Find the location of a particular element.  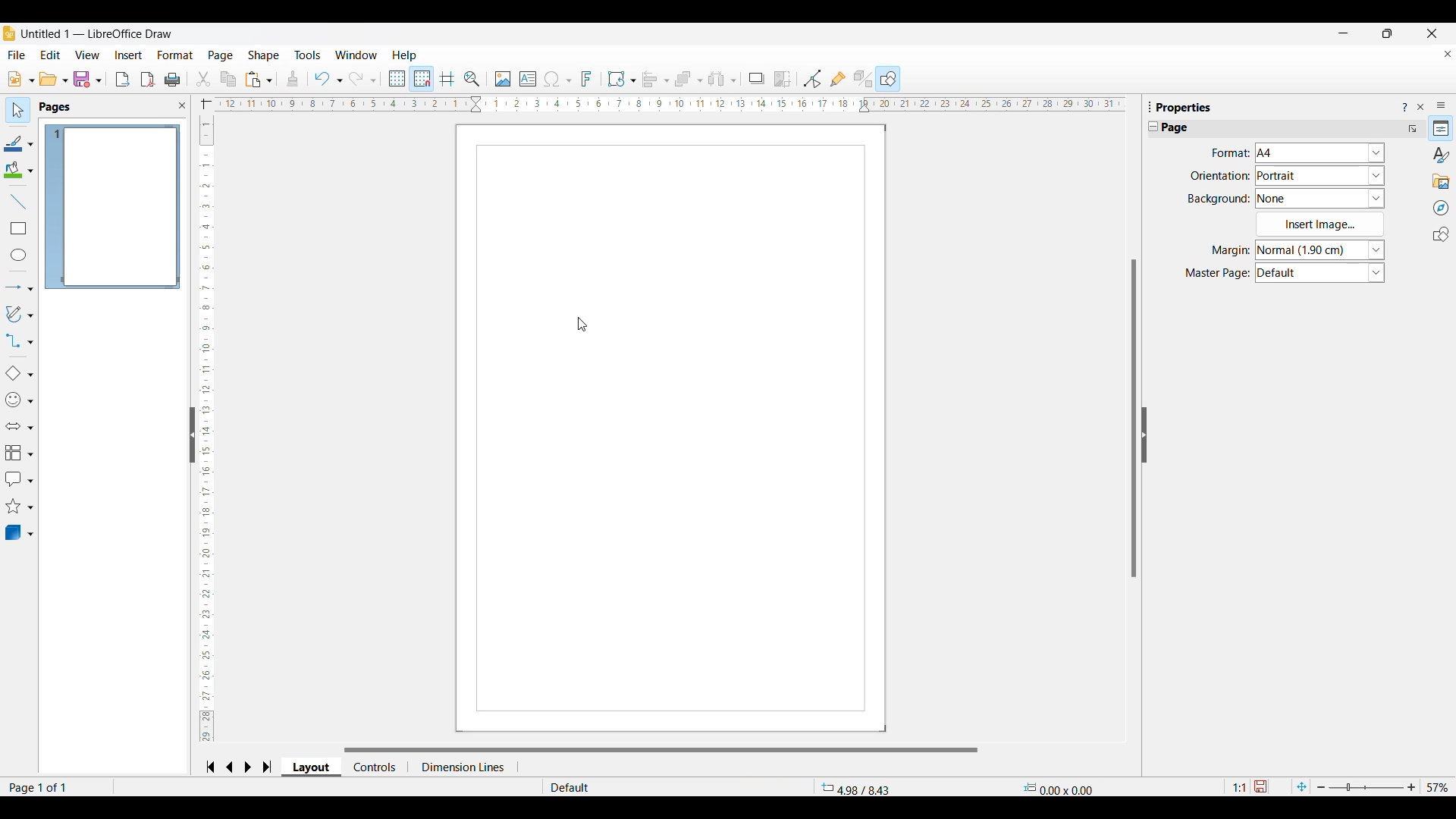

Export is located at coordinates (123, 80).